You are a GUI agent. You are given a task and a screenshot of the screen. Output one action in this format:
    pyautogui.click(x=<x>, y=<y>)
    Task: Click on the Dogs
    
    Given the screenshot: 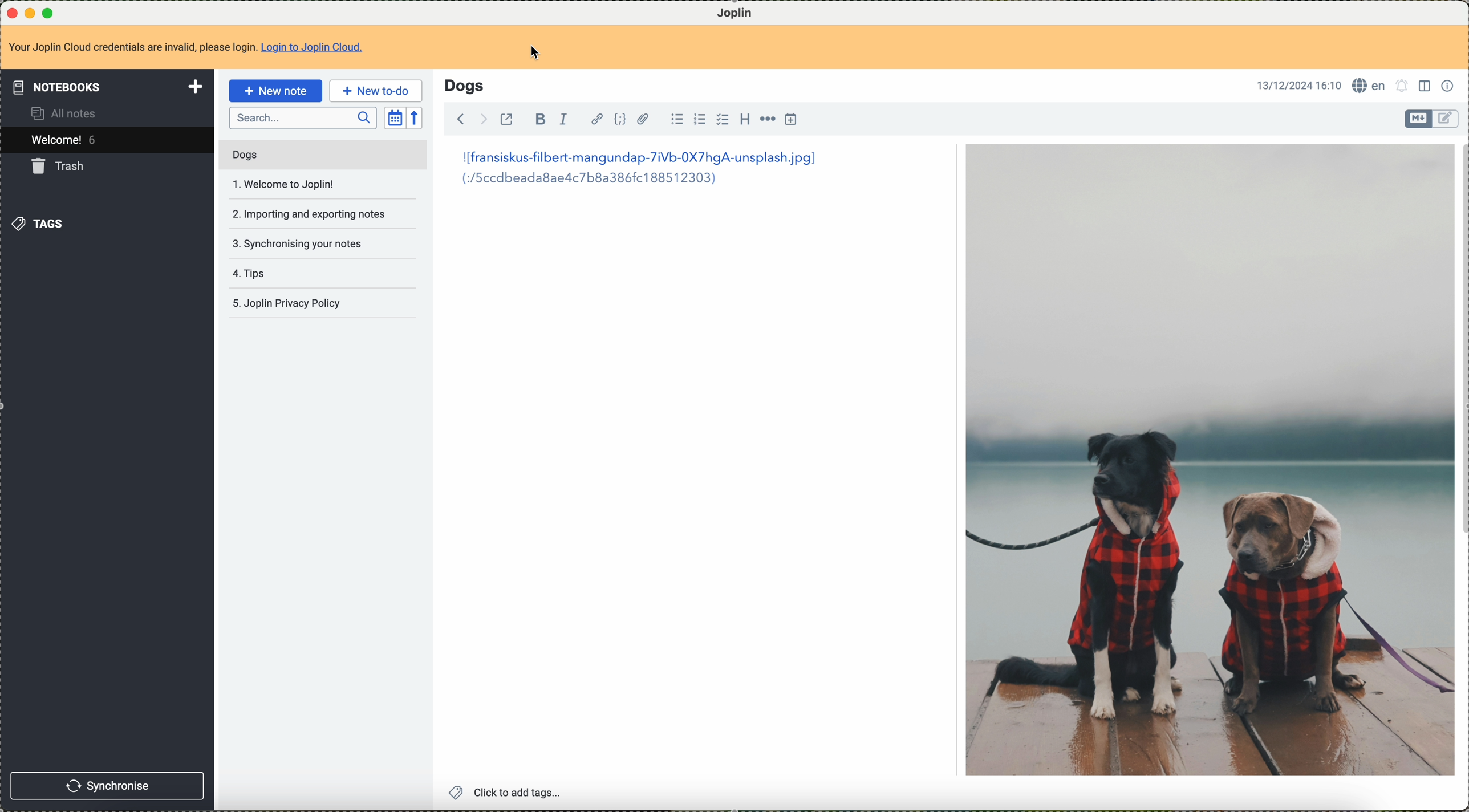 What is the action you would take?
    pyautogui.click(x=464, y=84)
    